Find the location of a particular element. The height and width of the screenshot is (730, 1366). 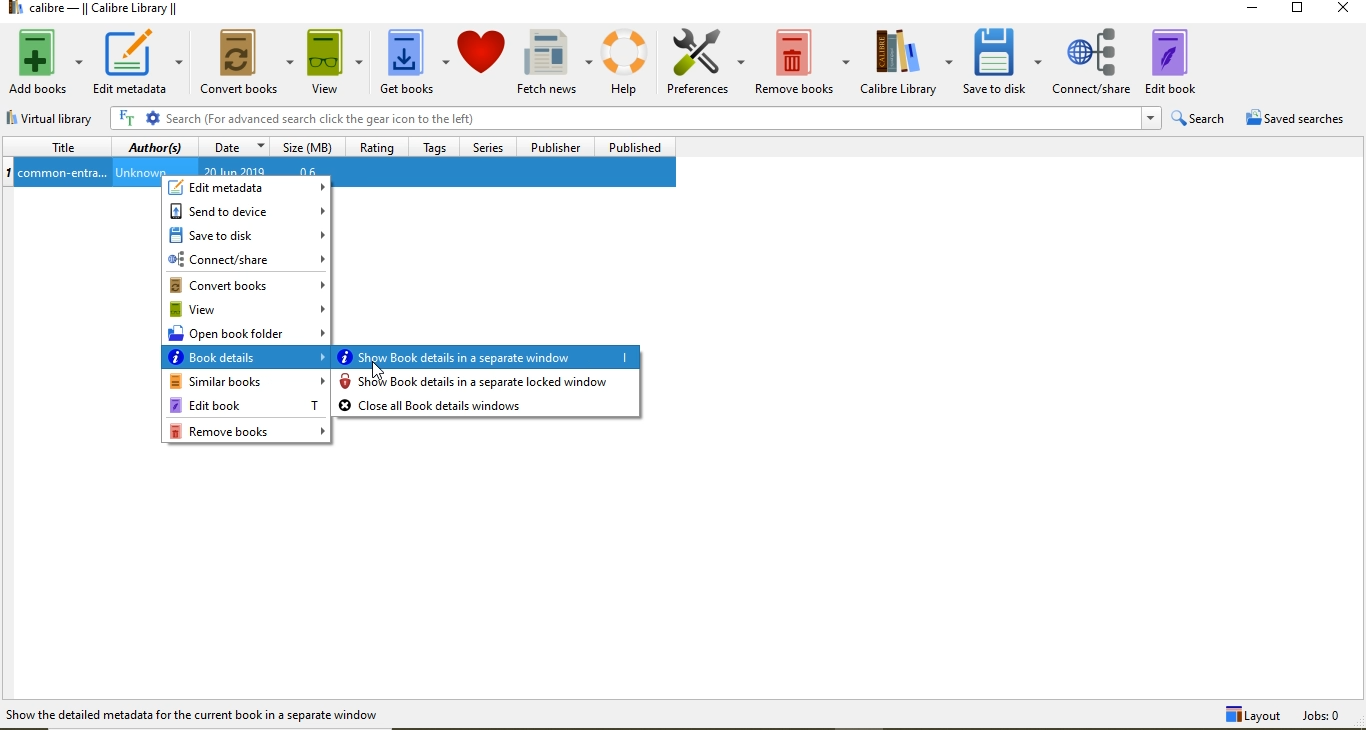

virtual library is located at coordinates (58, 119).